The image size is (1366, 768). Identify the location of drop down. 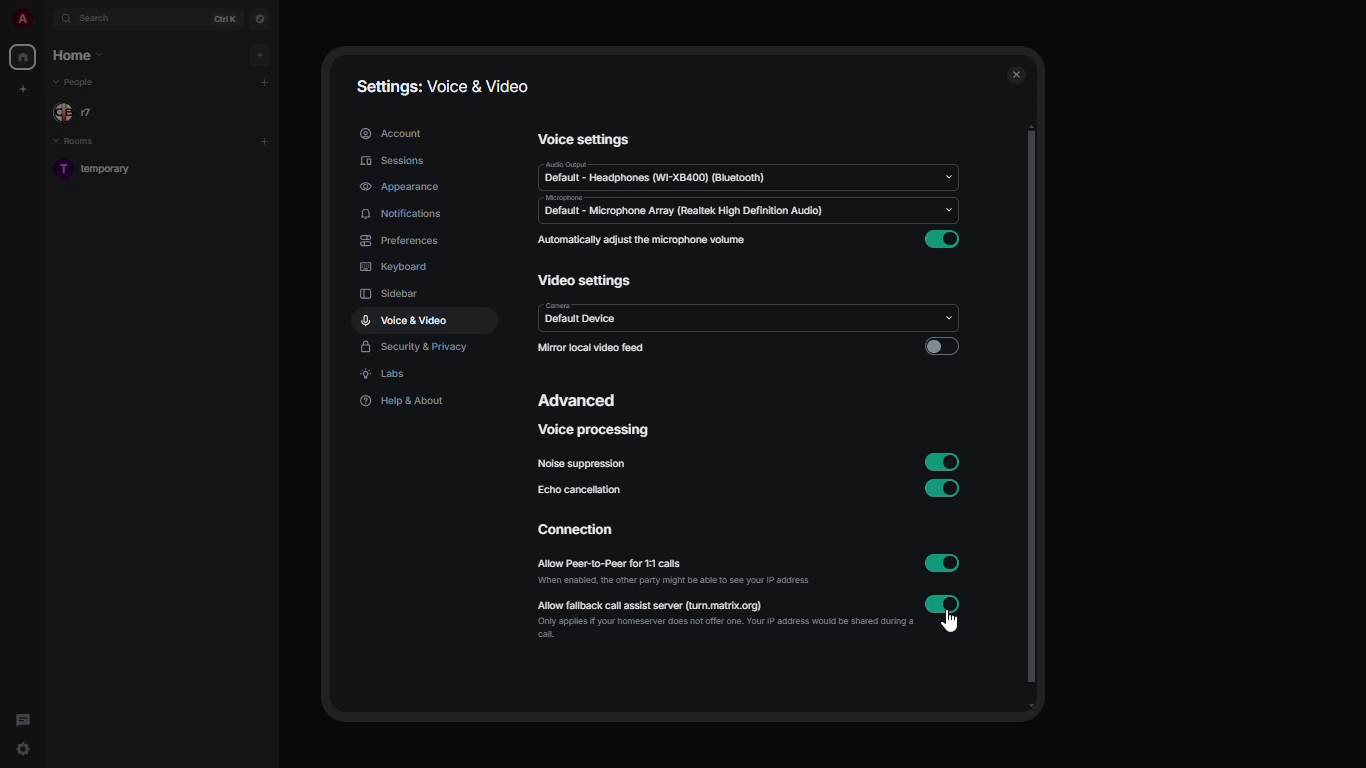
(948, 178).